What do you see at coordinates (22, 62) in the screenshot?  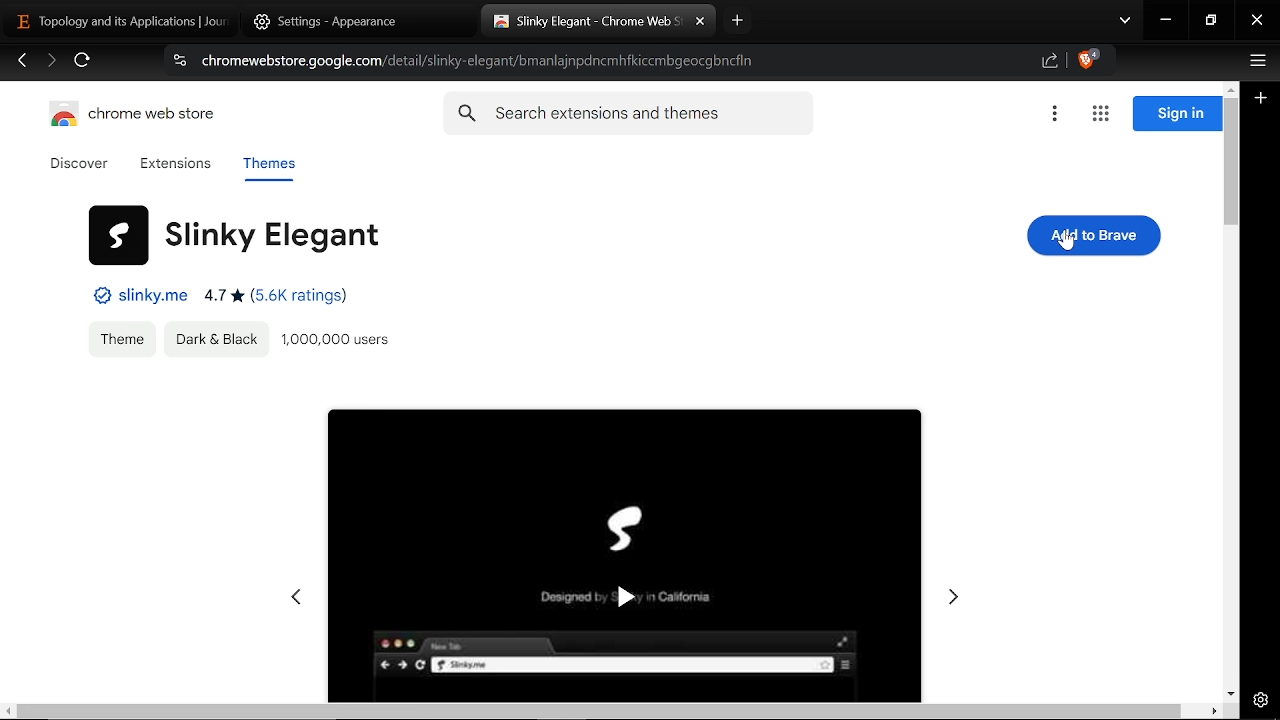 I see `Previous page` at bounding box center [22, 62].